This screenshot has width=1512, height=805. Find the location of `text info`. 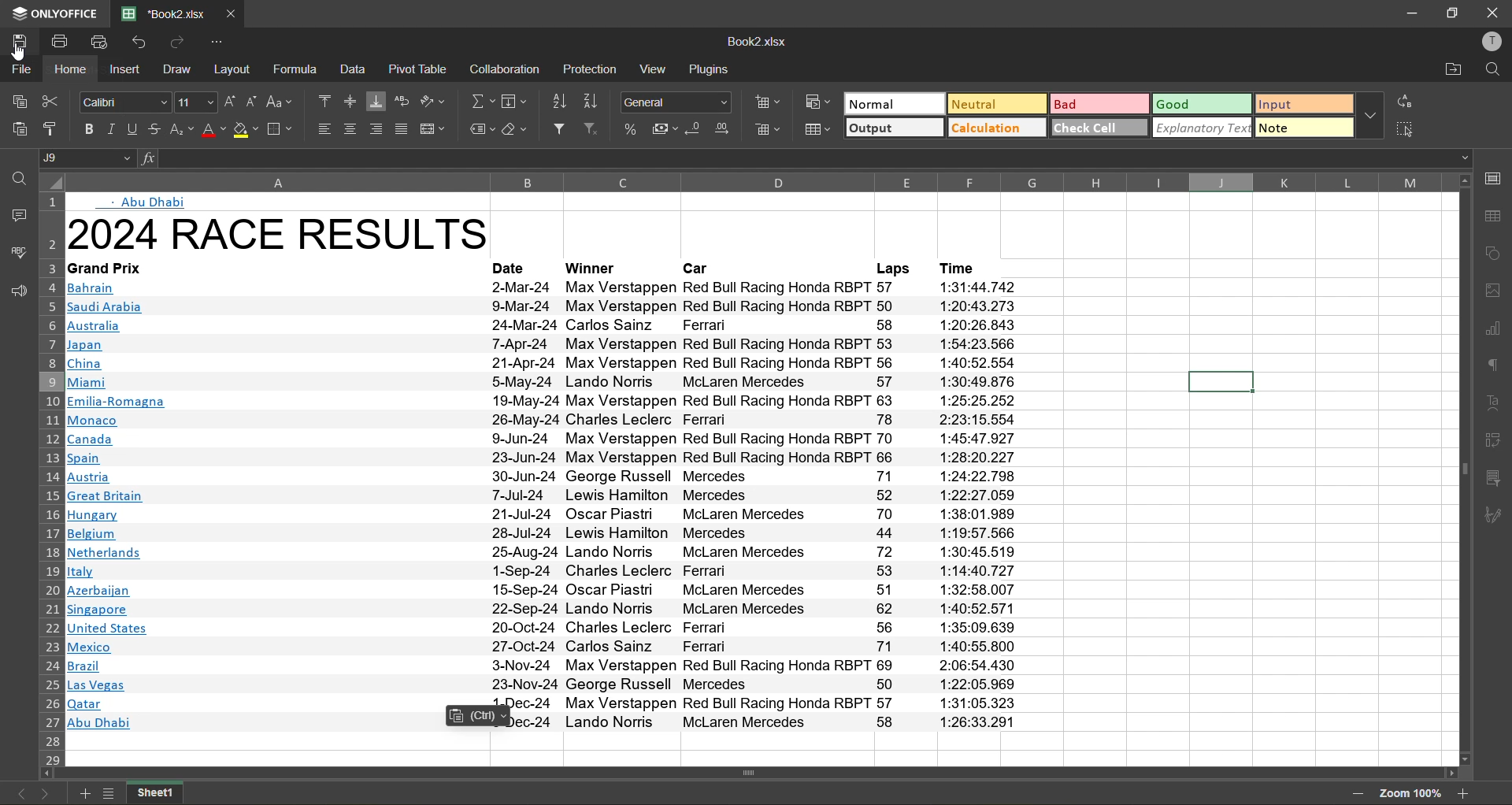

text info is located at coordinates (547, 722).